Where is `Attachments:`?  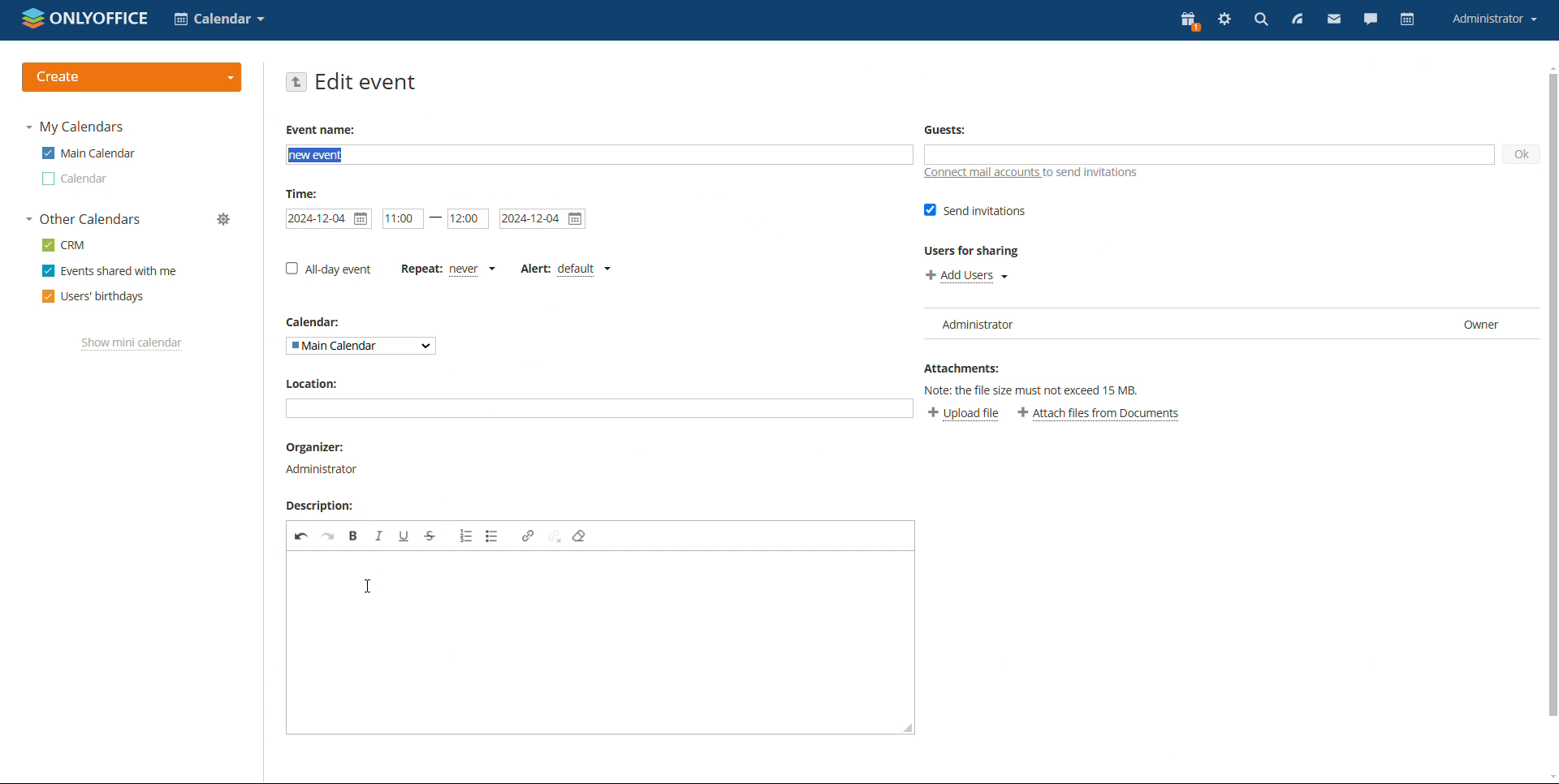
Attachments: is located at coordinates (965, 370).